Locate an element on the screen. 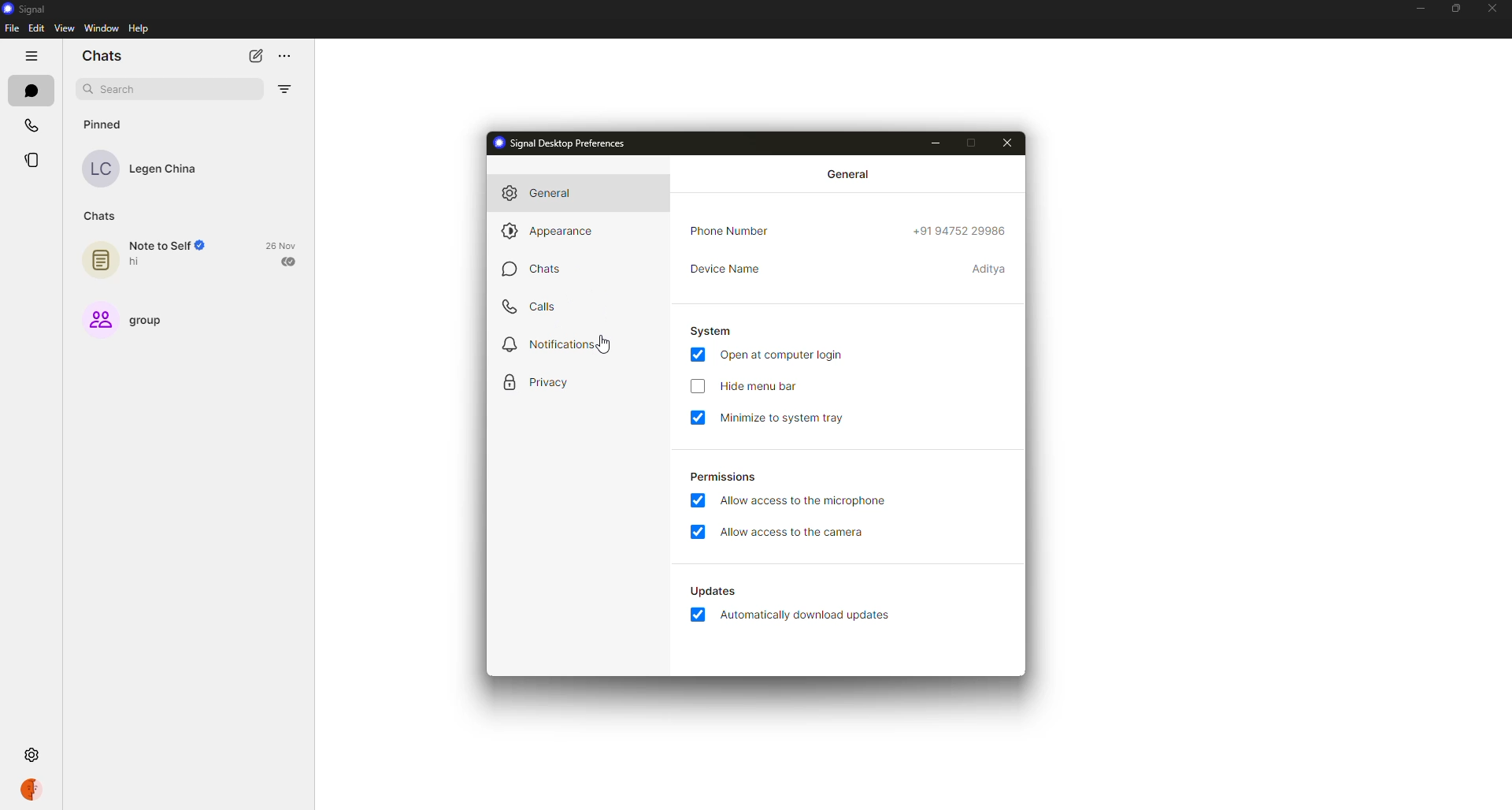  window is located at coordinates (101, 29).